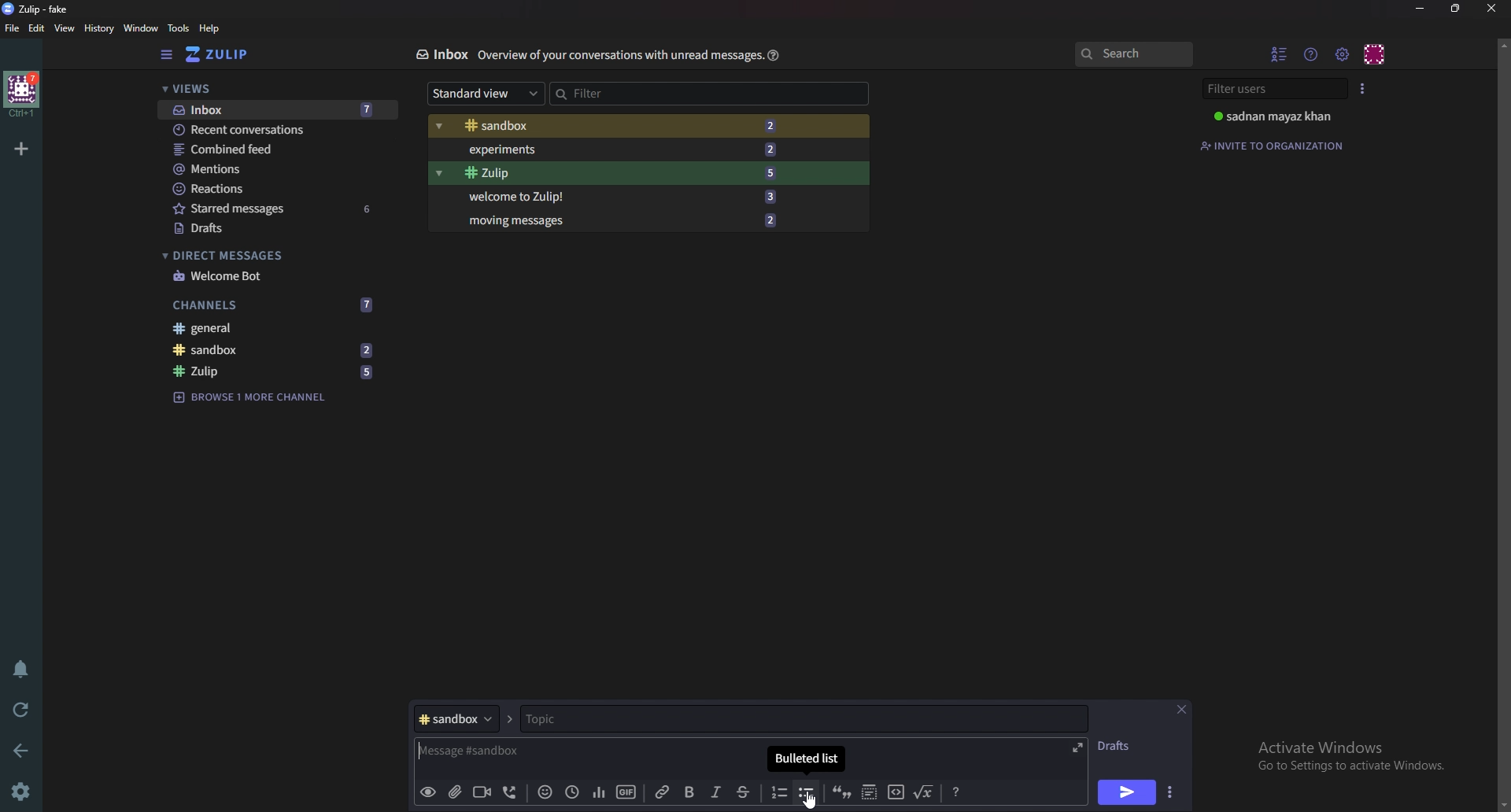 This screenshot has height=812, width=1511. What do you see at coordinates (486, 92) in the screenshot?
I see `Standard view` at bounding box center [486, 92].